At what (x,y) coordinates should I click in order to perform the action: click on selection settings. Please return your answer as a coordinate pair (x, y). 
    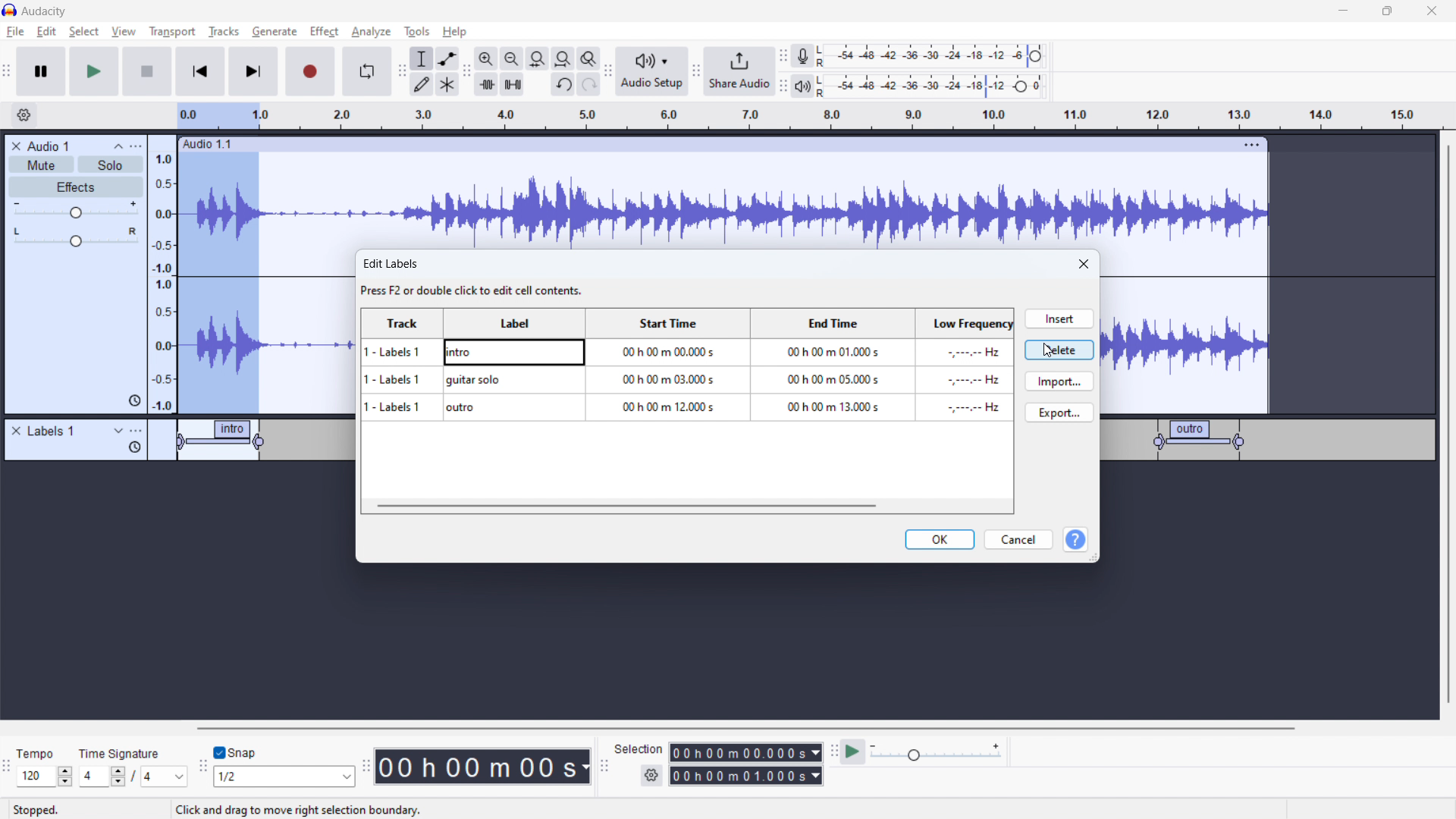
    Looking at the image, I should click on (652, 776).